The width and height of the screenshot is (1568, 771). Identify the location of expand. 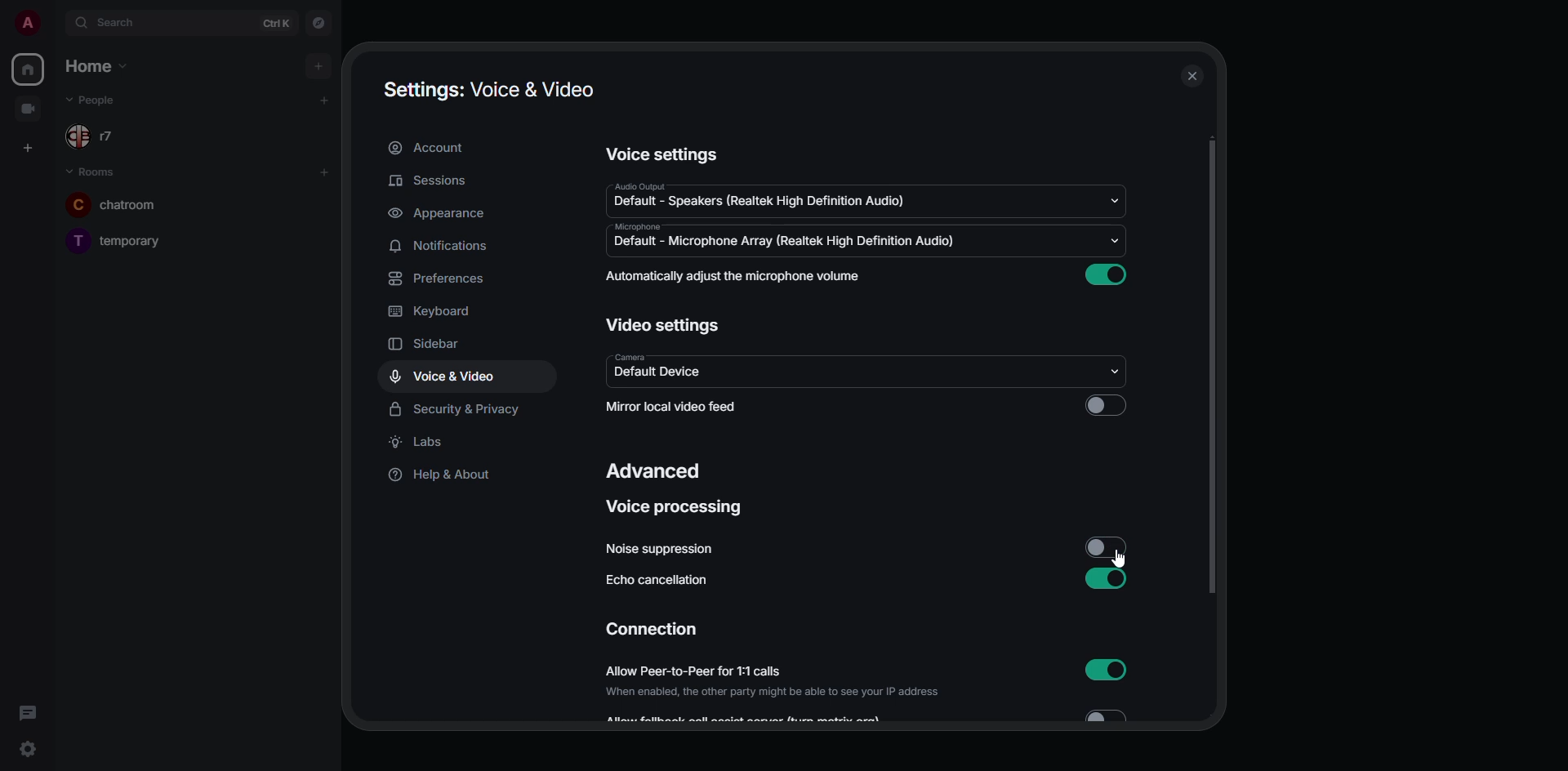
(59, 23).